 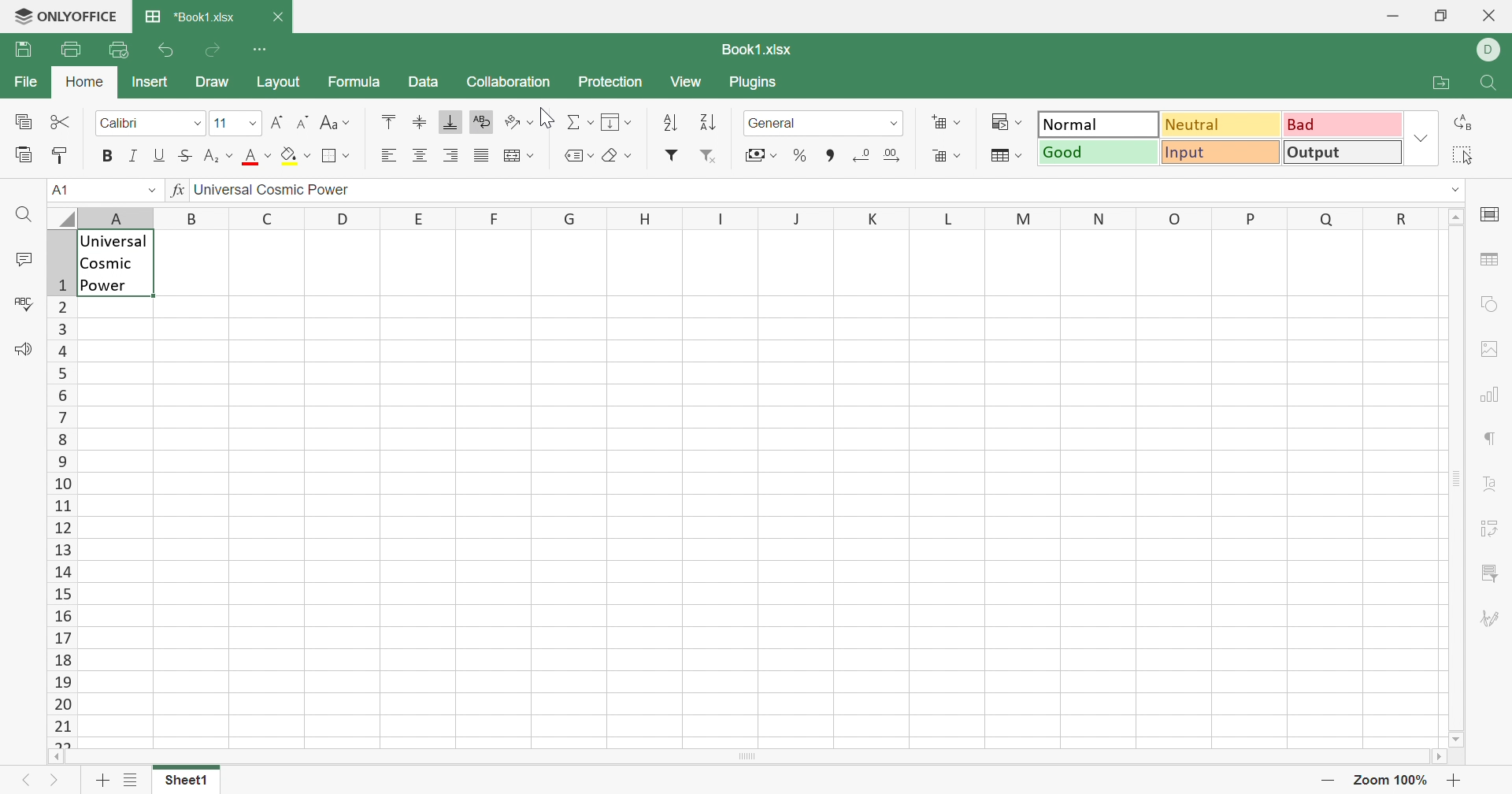 I want to click on Layout, so click(x=276, y=83).